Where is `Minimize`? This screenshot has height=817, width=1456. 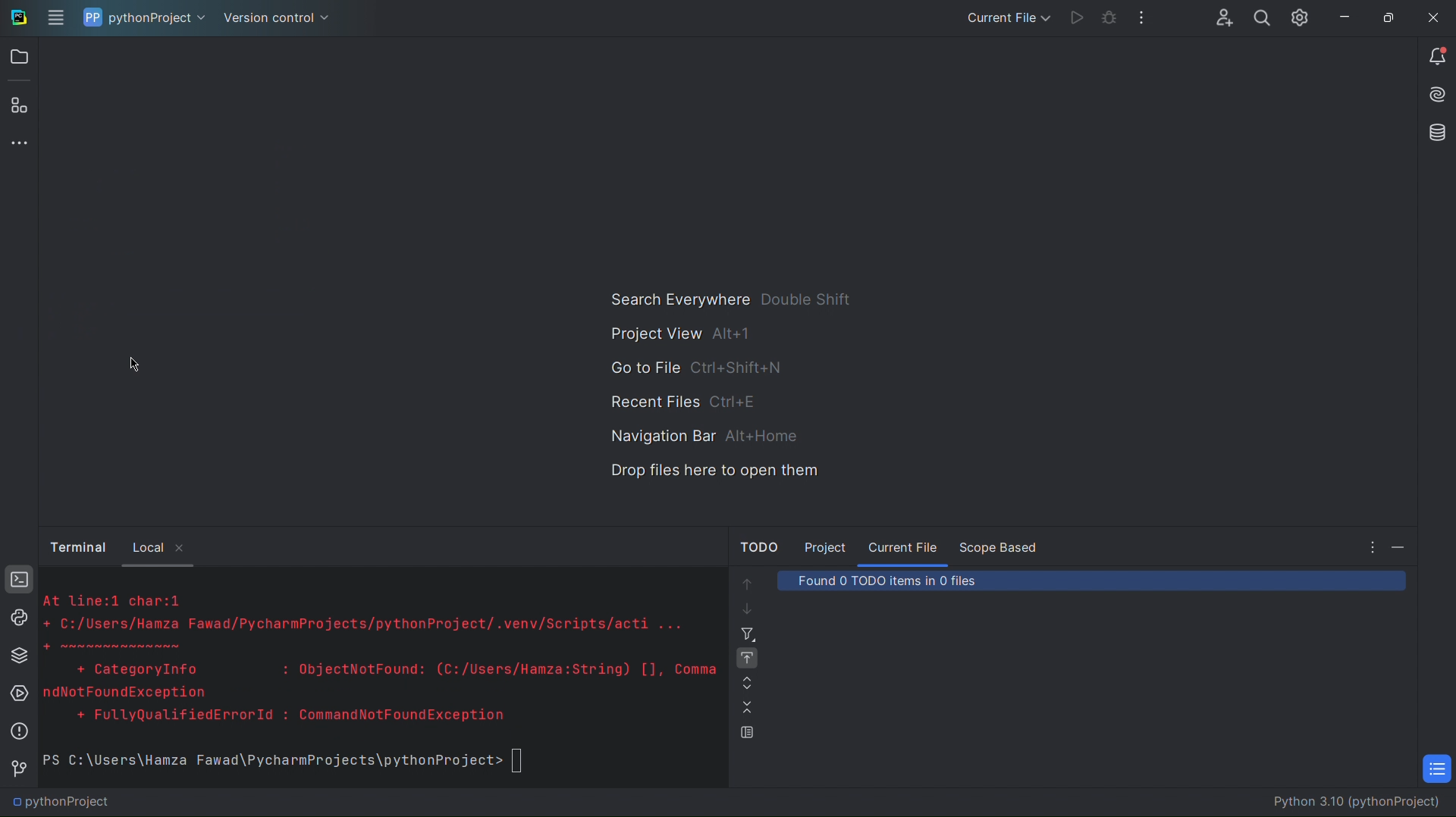 Minimize is located at coordinates (1341, 18).